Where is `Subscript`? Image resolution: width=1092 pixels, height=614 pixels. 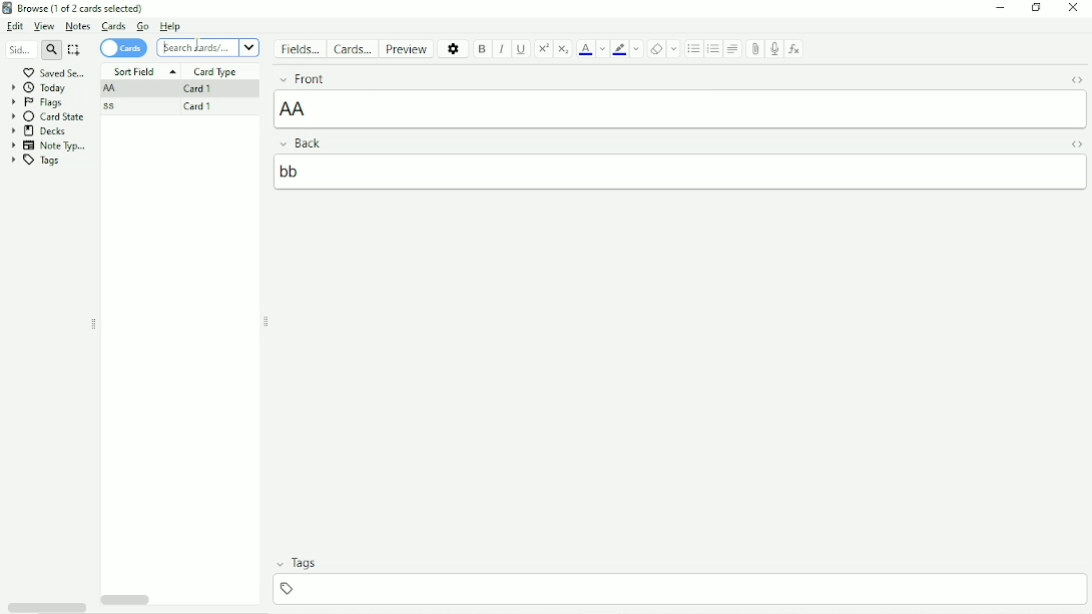 Subscript is located at coordinates (564, 49).